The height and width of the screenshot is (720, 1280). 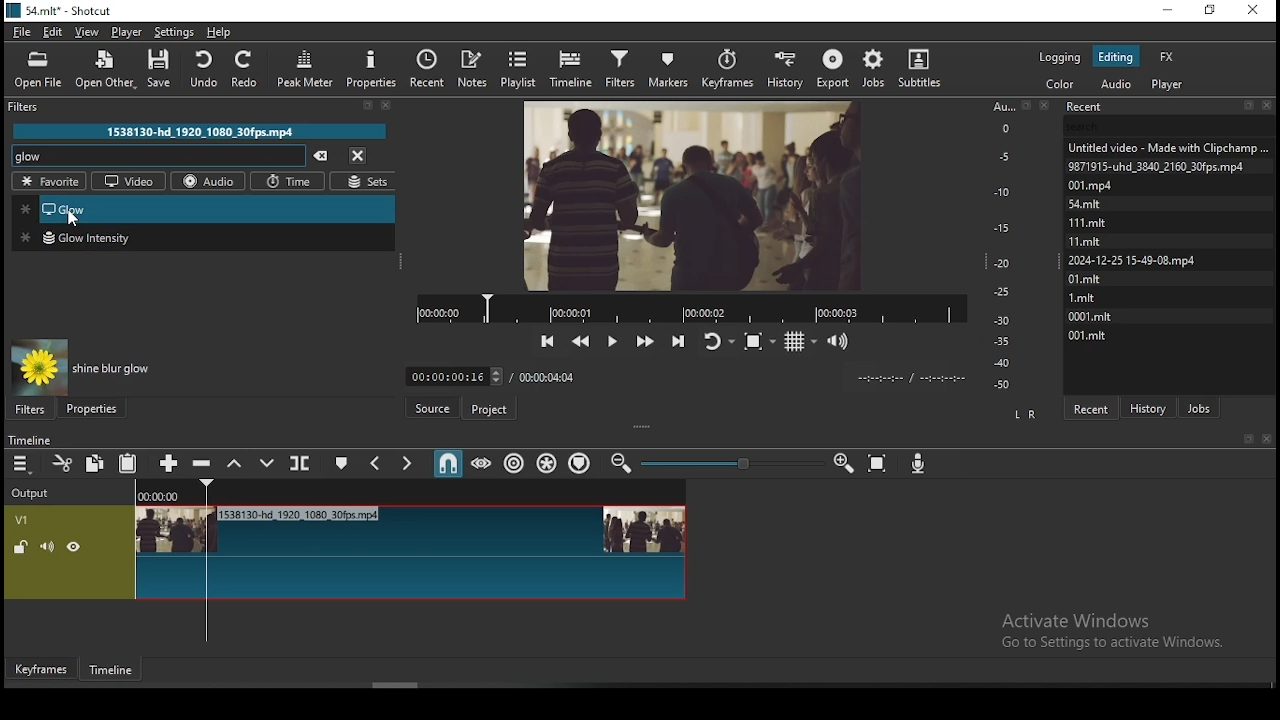 What do you see at coordinates (623, 464) in the screenshot?
I see `zoom timeline in` at bounding box center [623, 464].